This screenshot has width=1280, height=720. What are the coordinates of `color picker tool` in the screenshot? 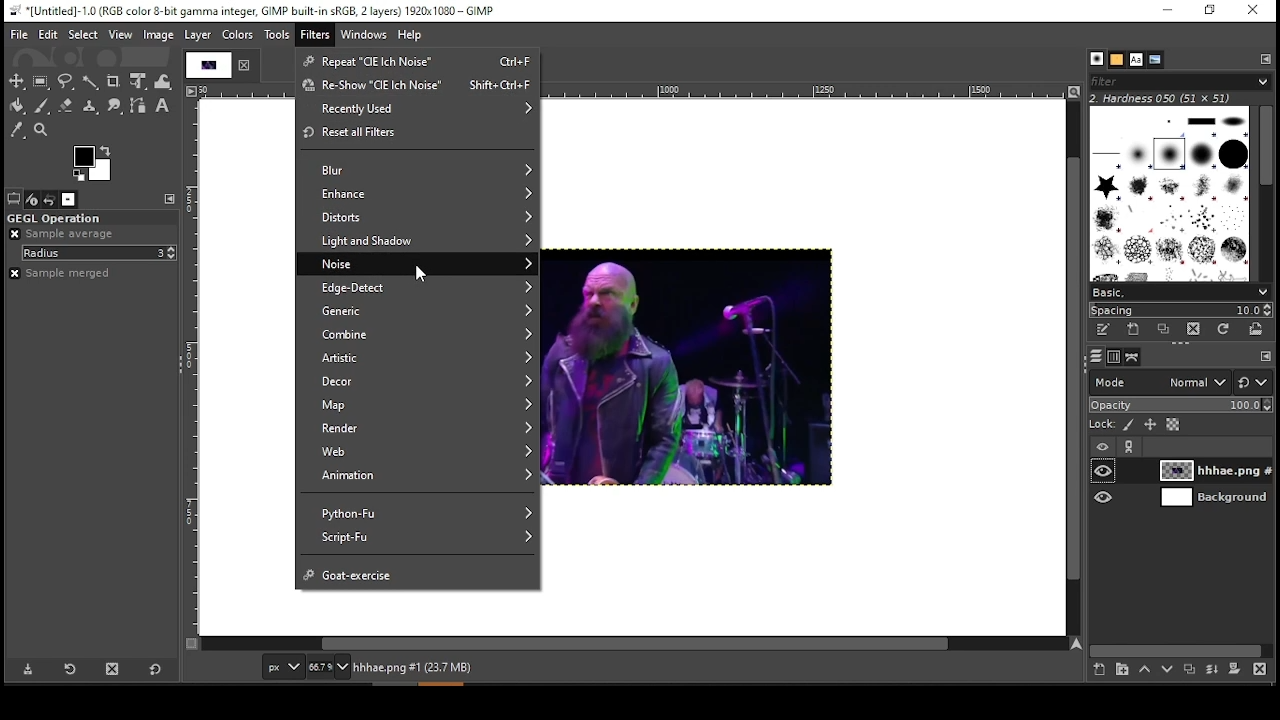 It's located at (18, 130).